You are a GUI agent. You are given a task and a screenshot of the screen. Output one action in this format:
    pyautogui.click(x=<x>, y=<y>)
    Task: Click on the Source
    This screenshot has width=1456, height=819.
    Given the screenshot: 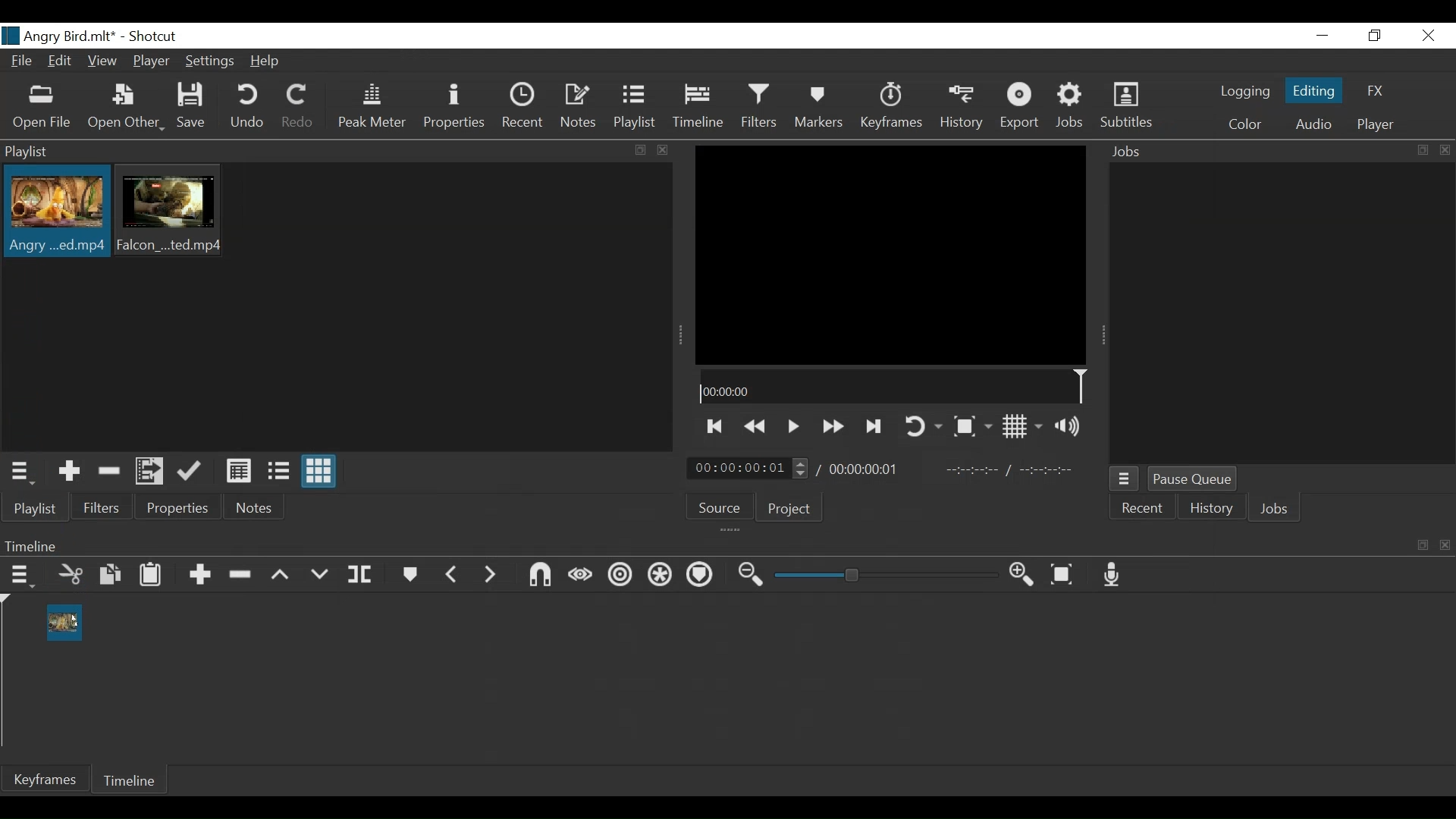 What is the action you would take?
    pyautogui.click(x=720, y=507)
    